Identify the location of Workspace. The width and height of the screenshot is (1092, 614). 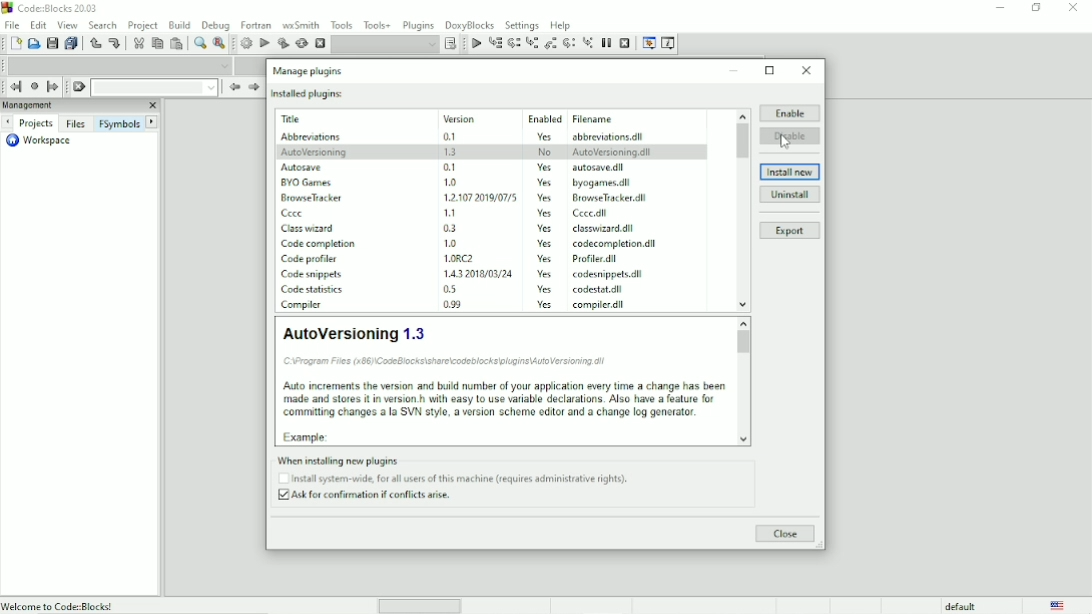
(37, 141).